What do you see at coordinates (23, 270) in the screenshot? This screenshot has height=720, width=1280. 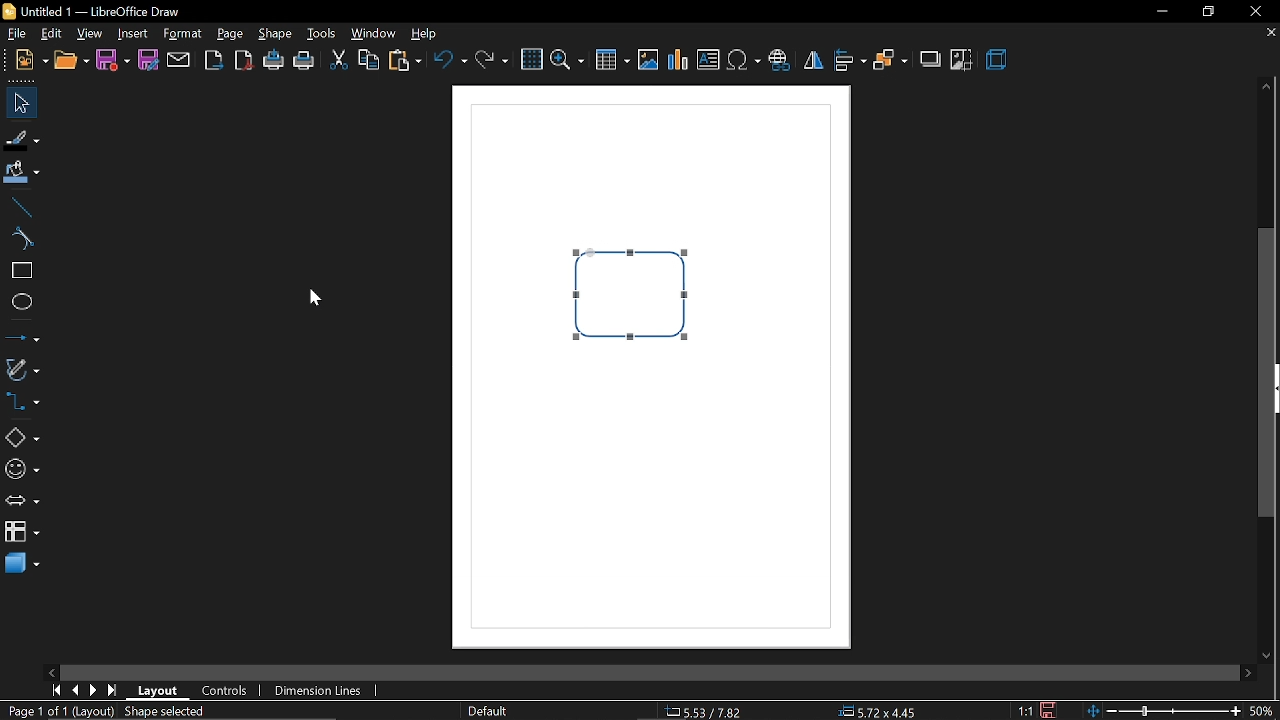 I see `rectangle` at bounding box center [23, 270].